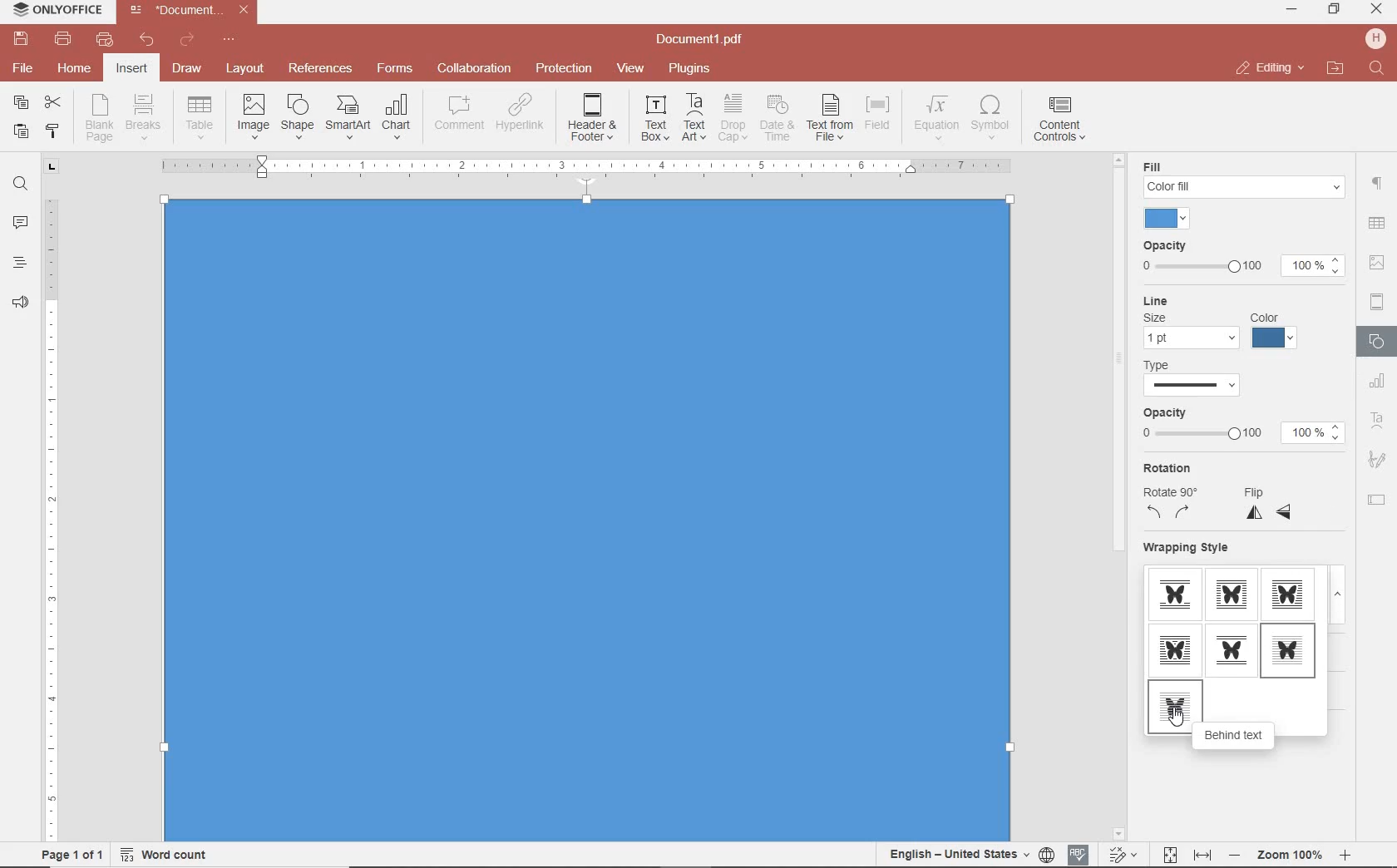 The width and height of the screenshot is (1397, 868). I want to click on ROTATION, so click(1171, 494).